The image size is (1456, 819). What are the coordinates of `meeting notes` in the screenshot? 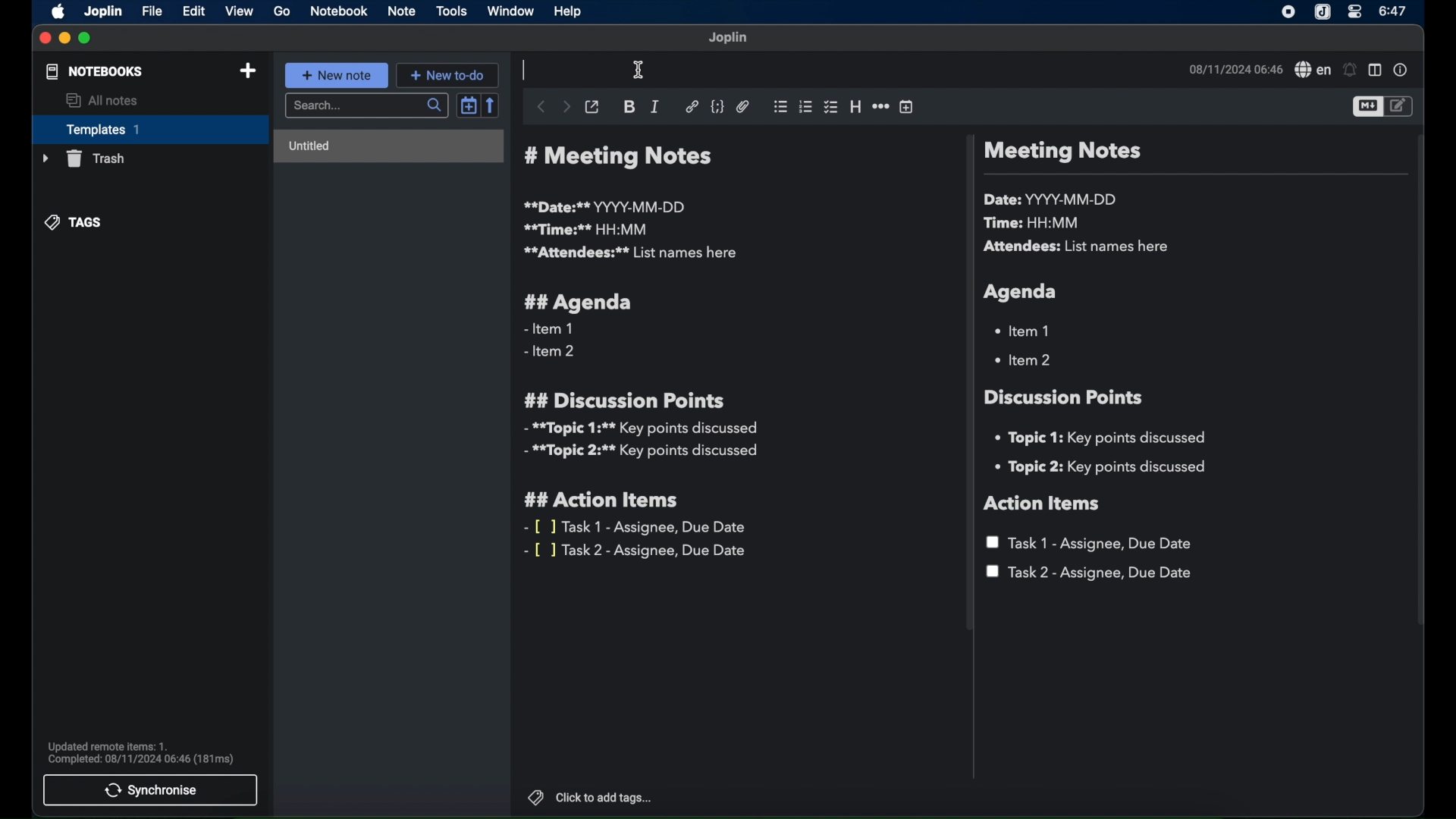 It's located at (1062, 152).